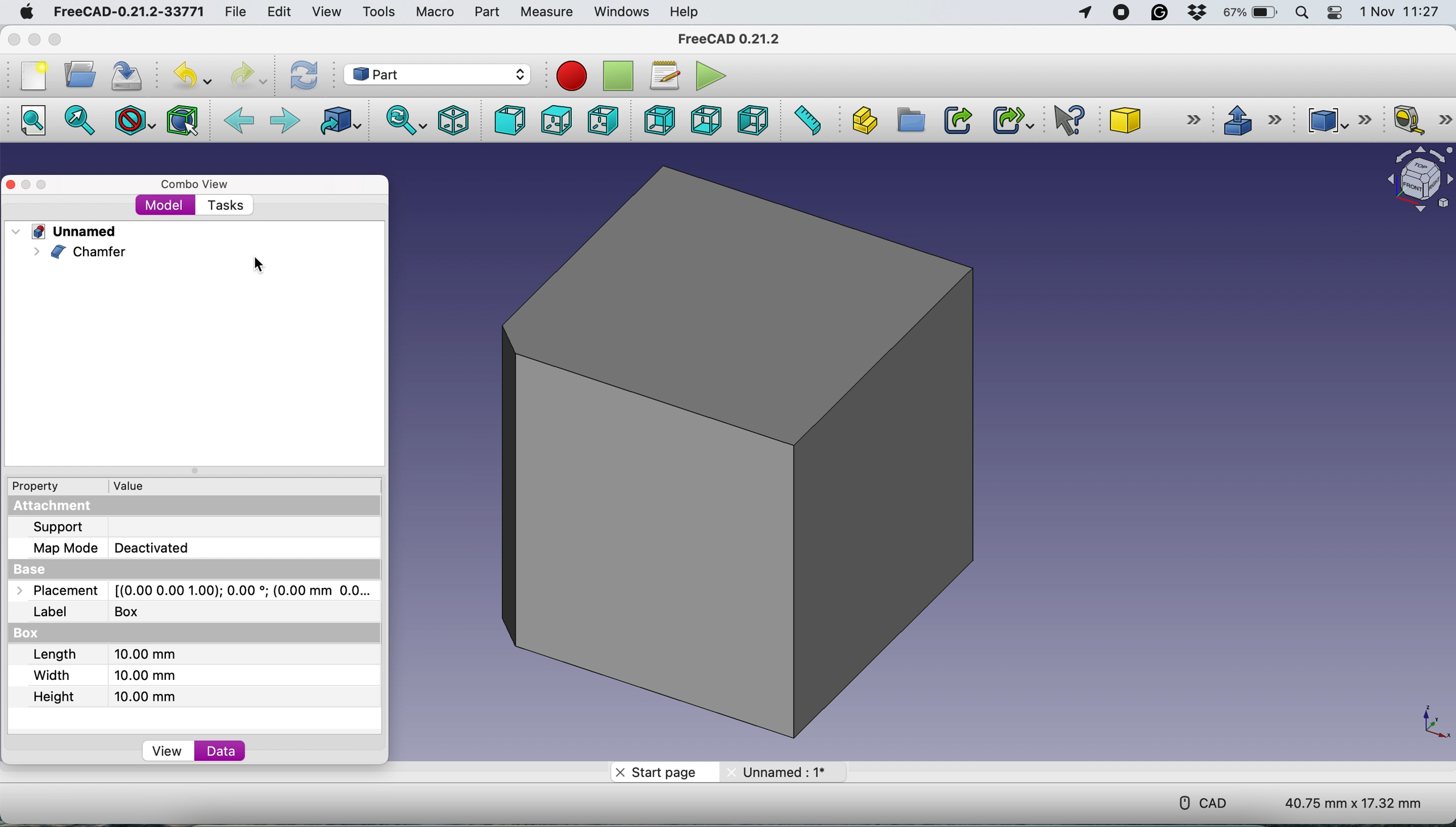 The width and height of the screenshot is (1456, 827). I want to click on tasks, so click(227, 204).